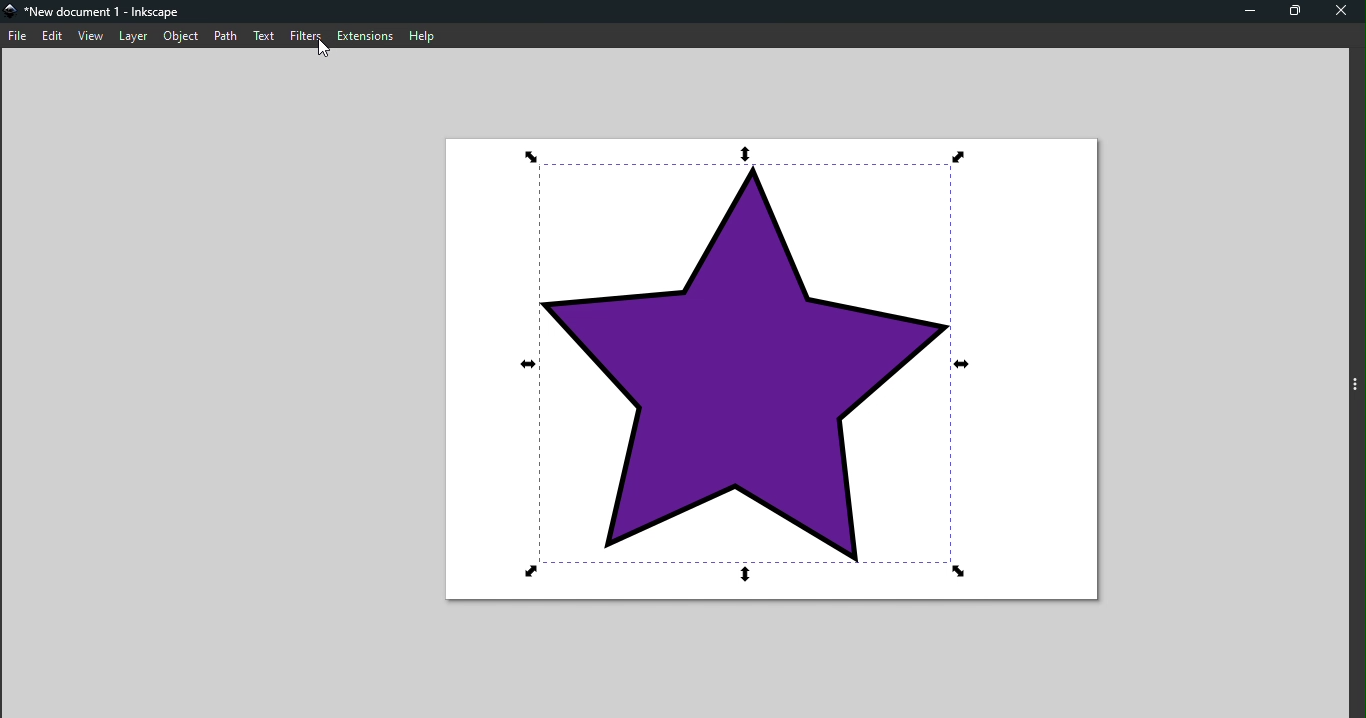 This screenshot has width=1366, height=718. Describe the element at coordinates (320, 52) in the screenshot. I see `Cursor` at that location.